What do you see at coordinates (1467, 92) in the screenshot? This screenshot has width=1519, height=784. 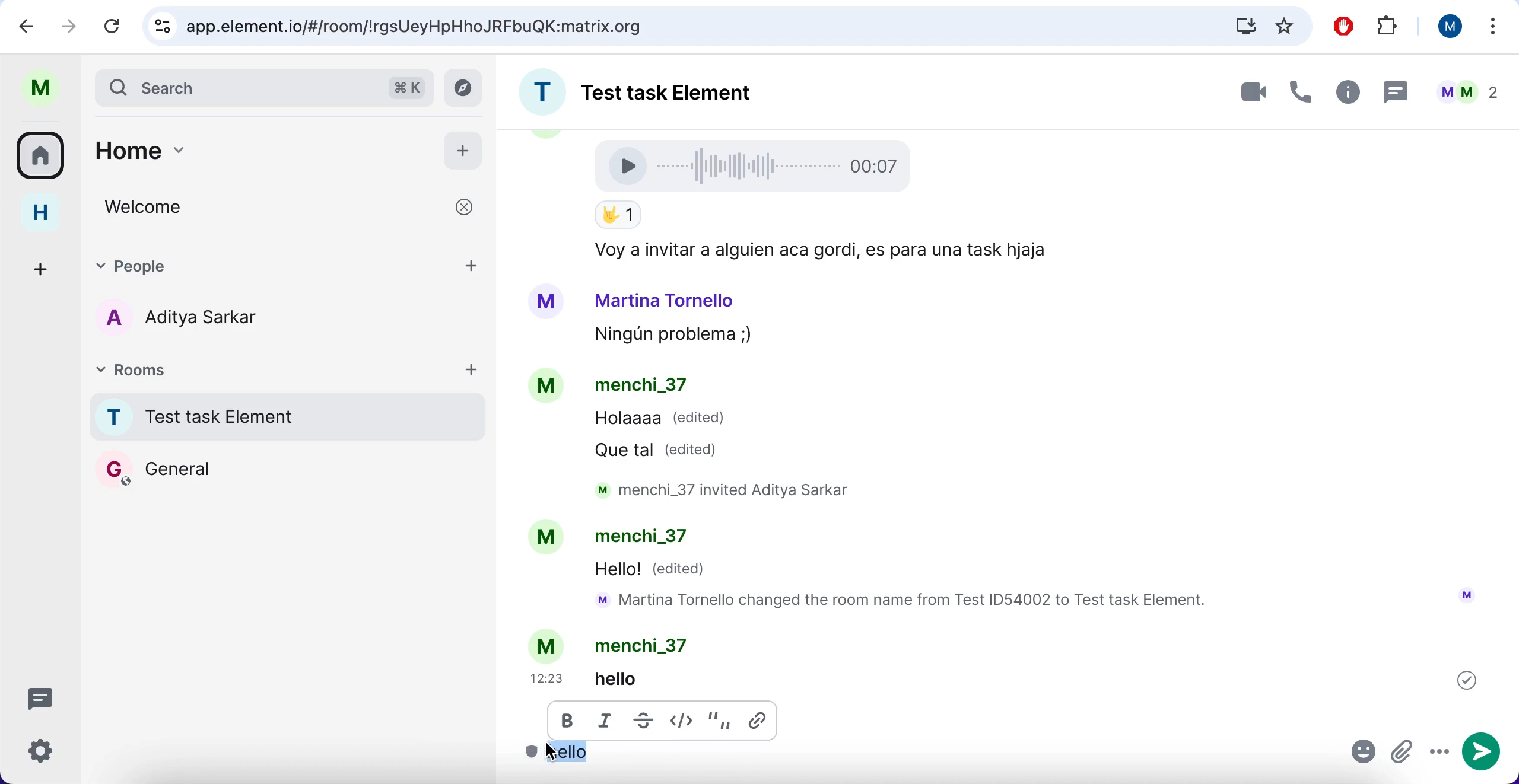 I see `people` at bounding box center [1467, 92].